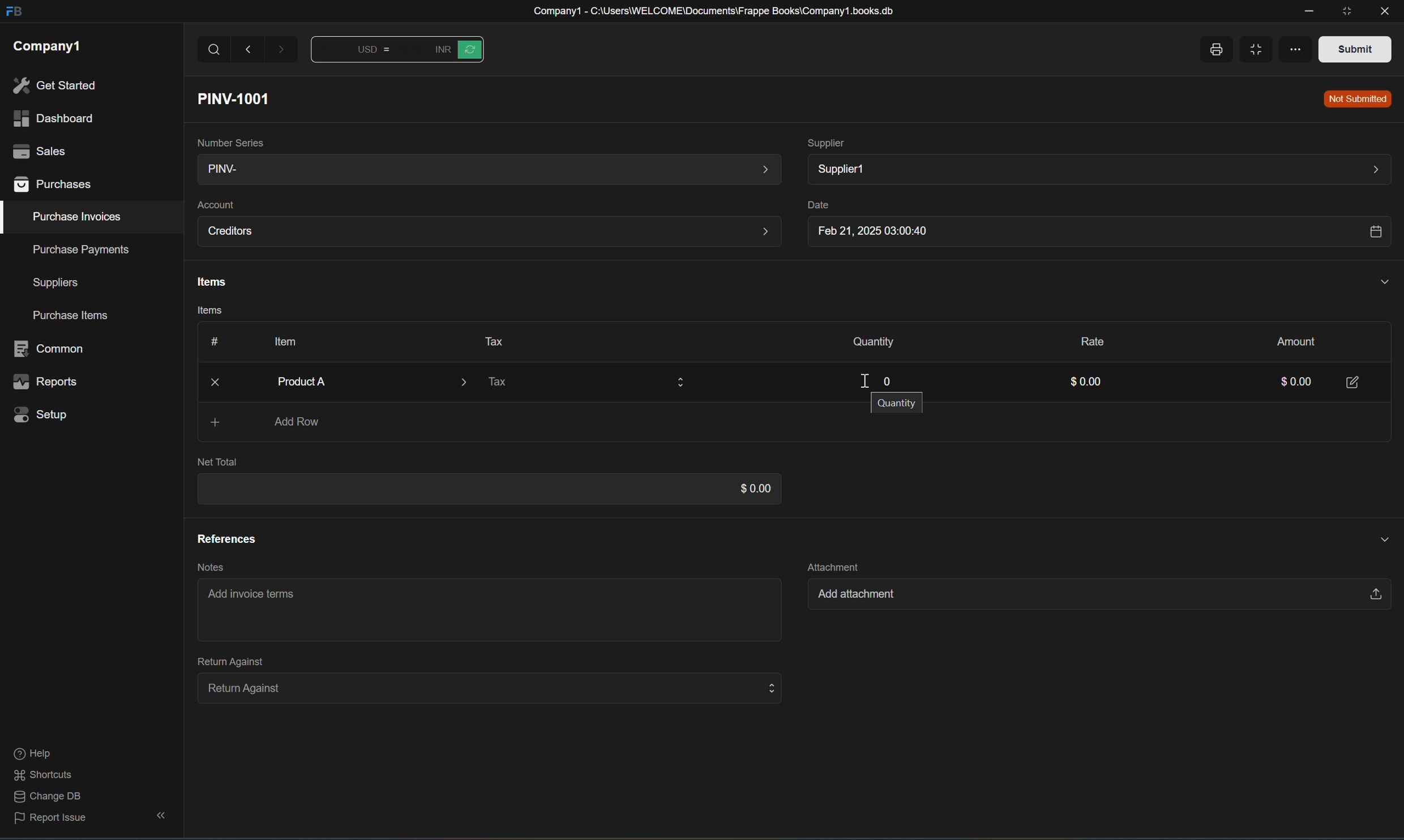 This screenshot has height=840, width=1404. What do you see at coordinates (456, 49) in the screenshot?
I see `Button` at bounding box center [456, 49].